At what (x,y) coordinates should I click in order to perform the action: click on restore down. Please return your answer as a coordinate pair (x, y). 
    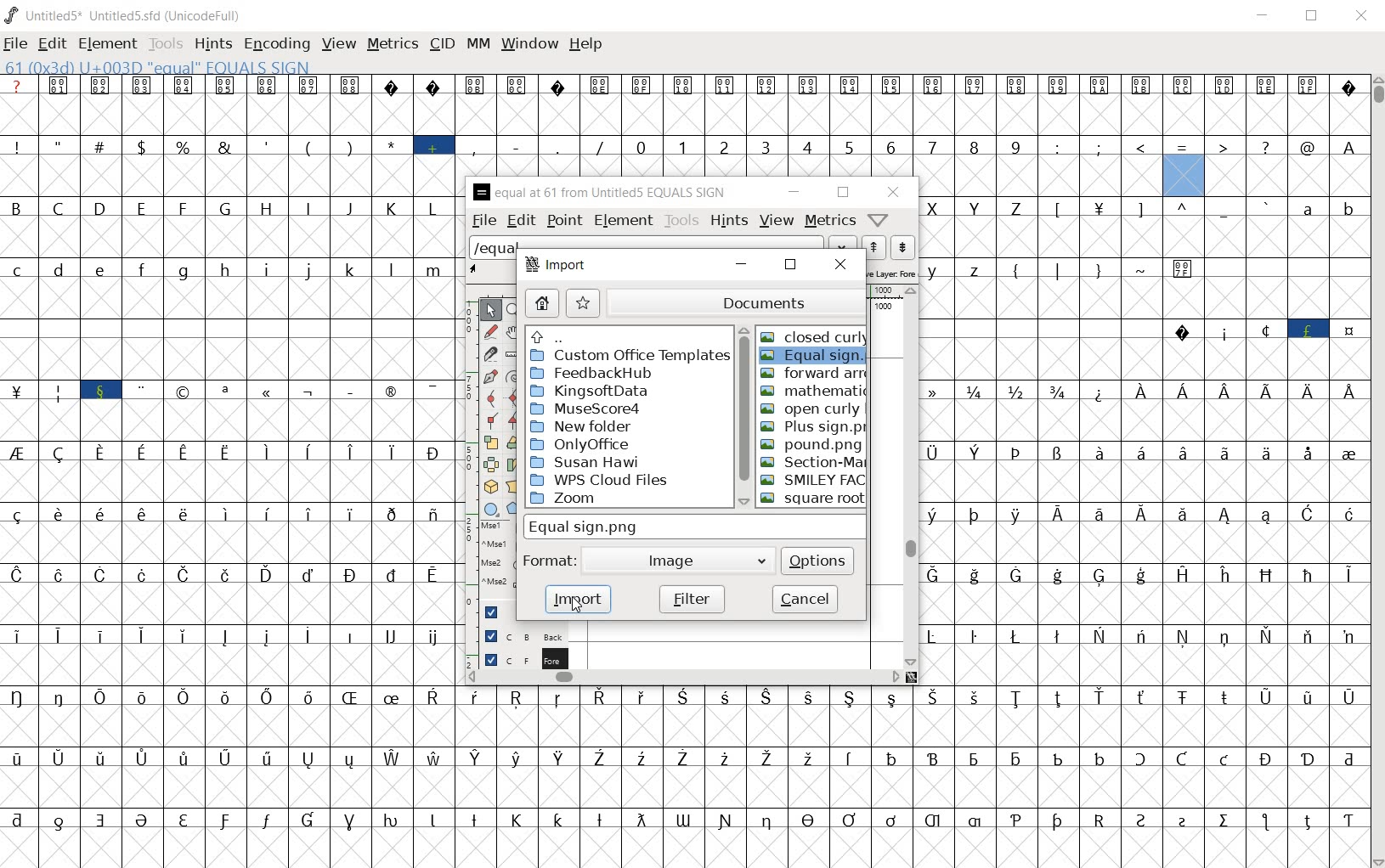
    Looking at the image, I should click on (843, 194).